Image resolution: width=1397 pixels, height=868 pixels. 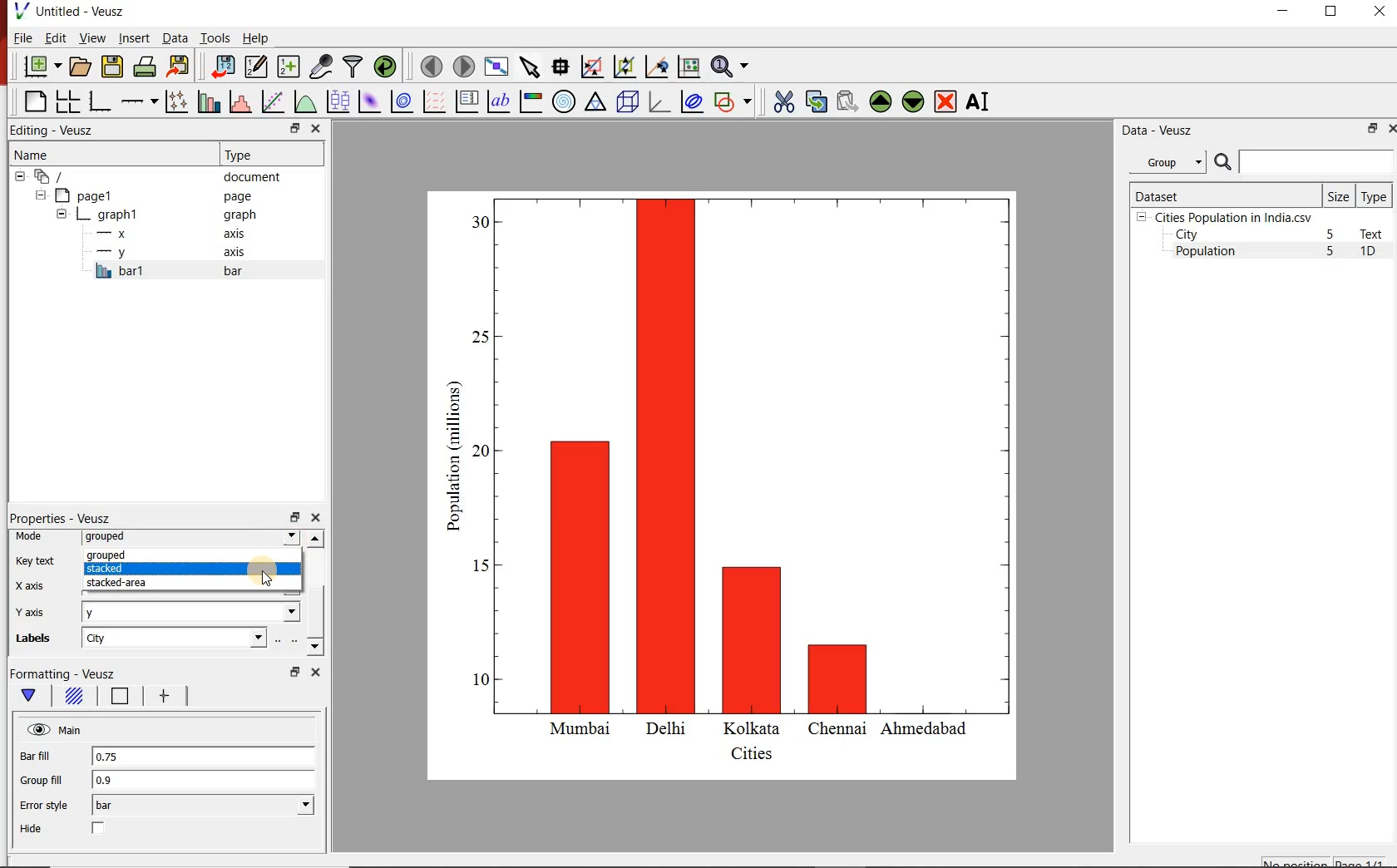 I want to click on Ternary graph, so click(x=595, y=102).